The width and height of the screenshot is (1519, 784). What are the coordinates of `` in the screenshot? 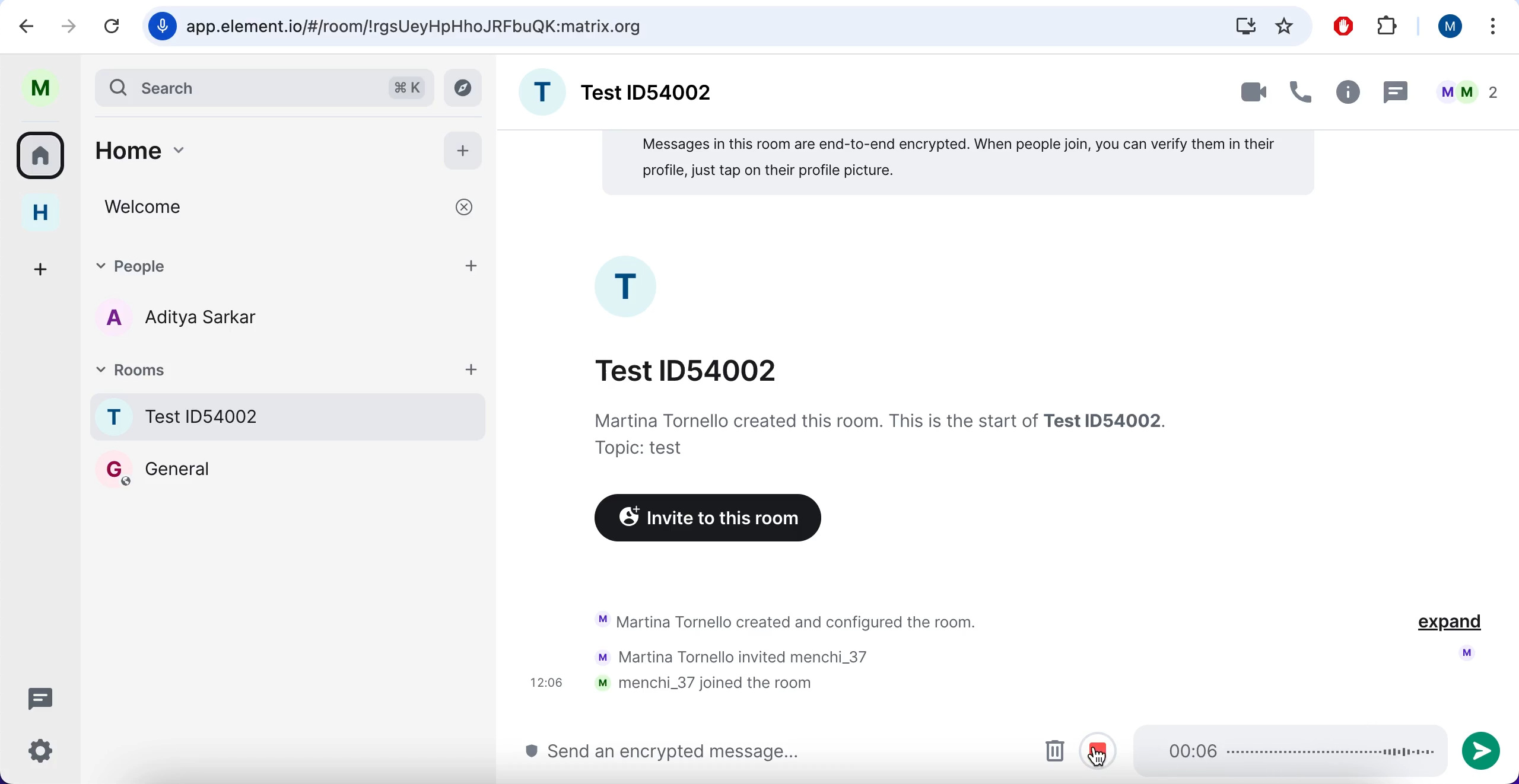 It's located at (1346, 91).